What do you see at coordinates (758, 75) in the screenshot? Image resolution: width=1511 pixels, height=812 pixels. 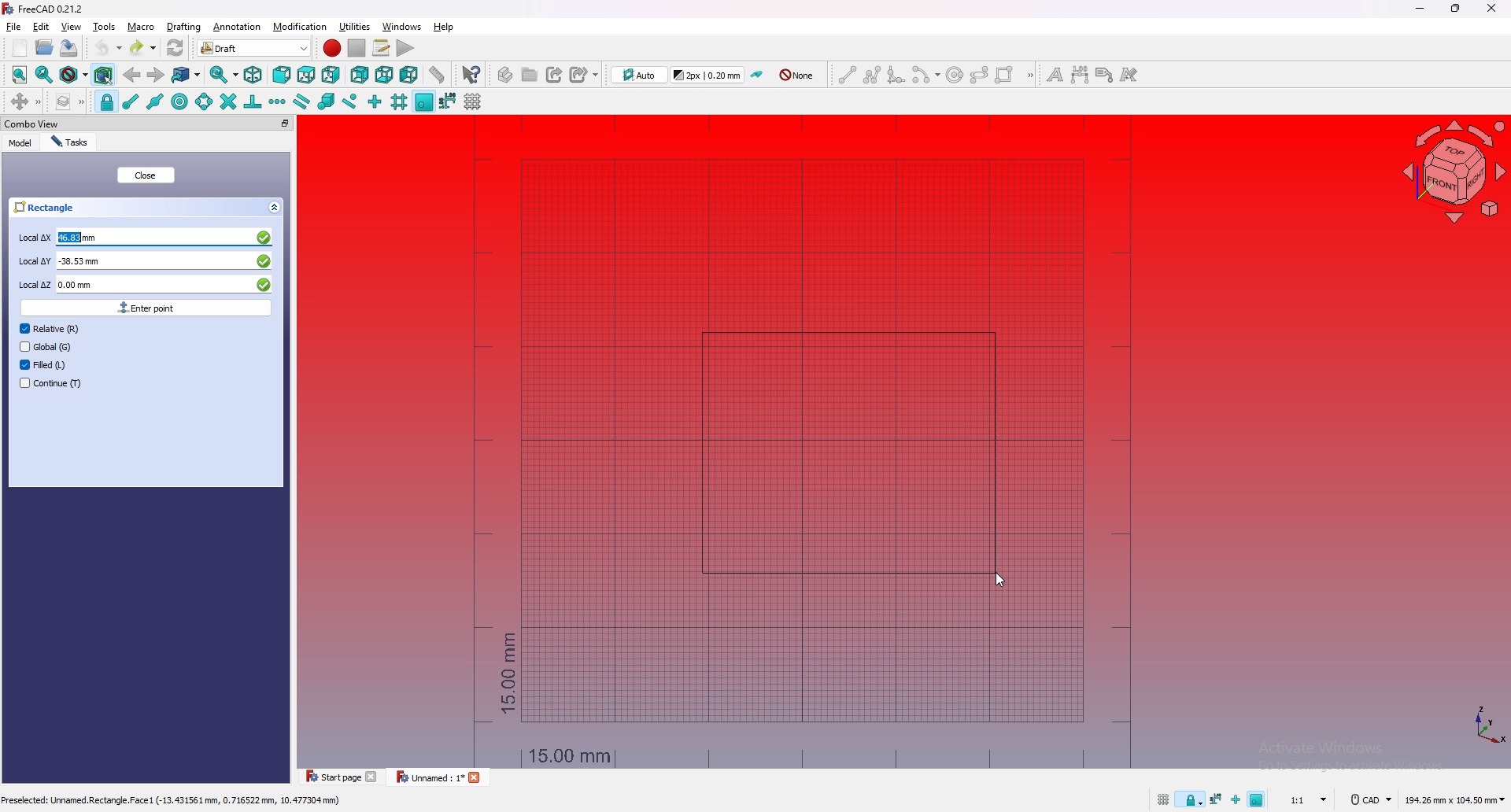 I see `toggle construction mode` at bounding box center [758, 75].